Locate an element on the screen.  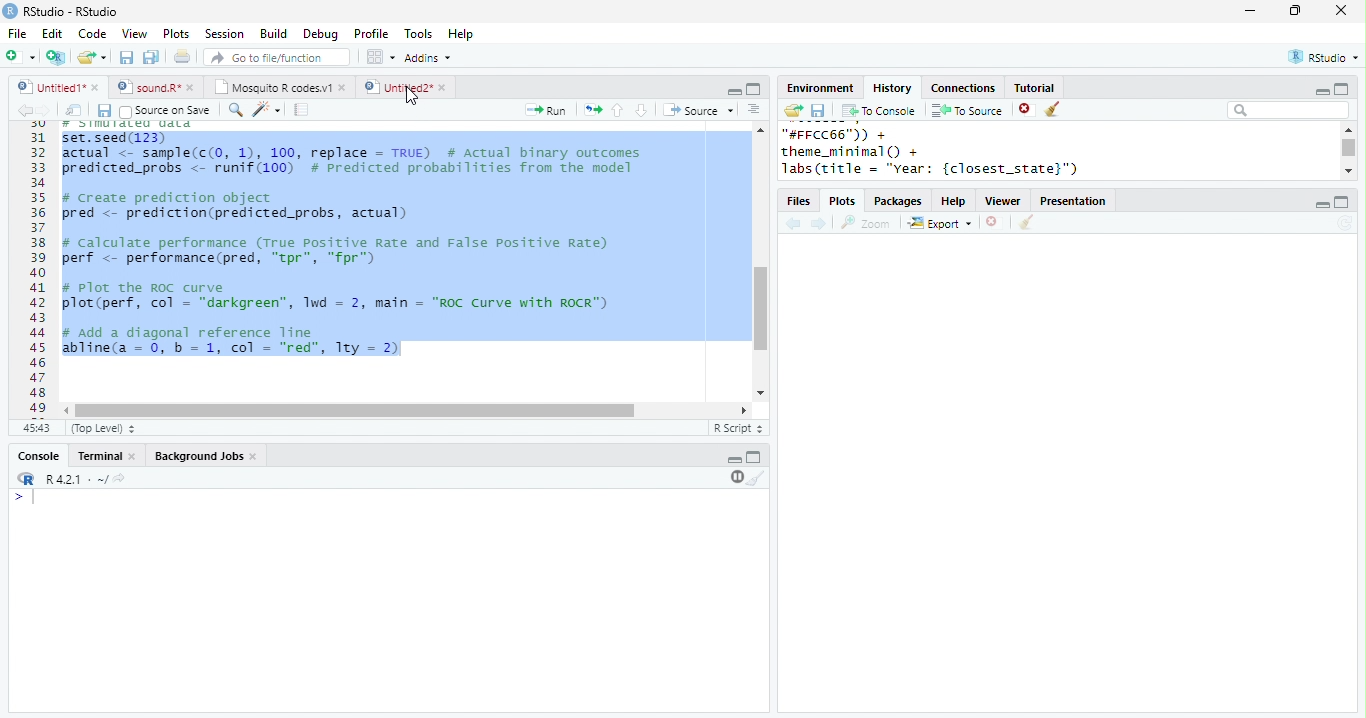
clear is located at coordinates (1026, 223).